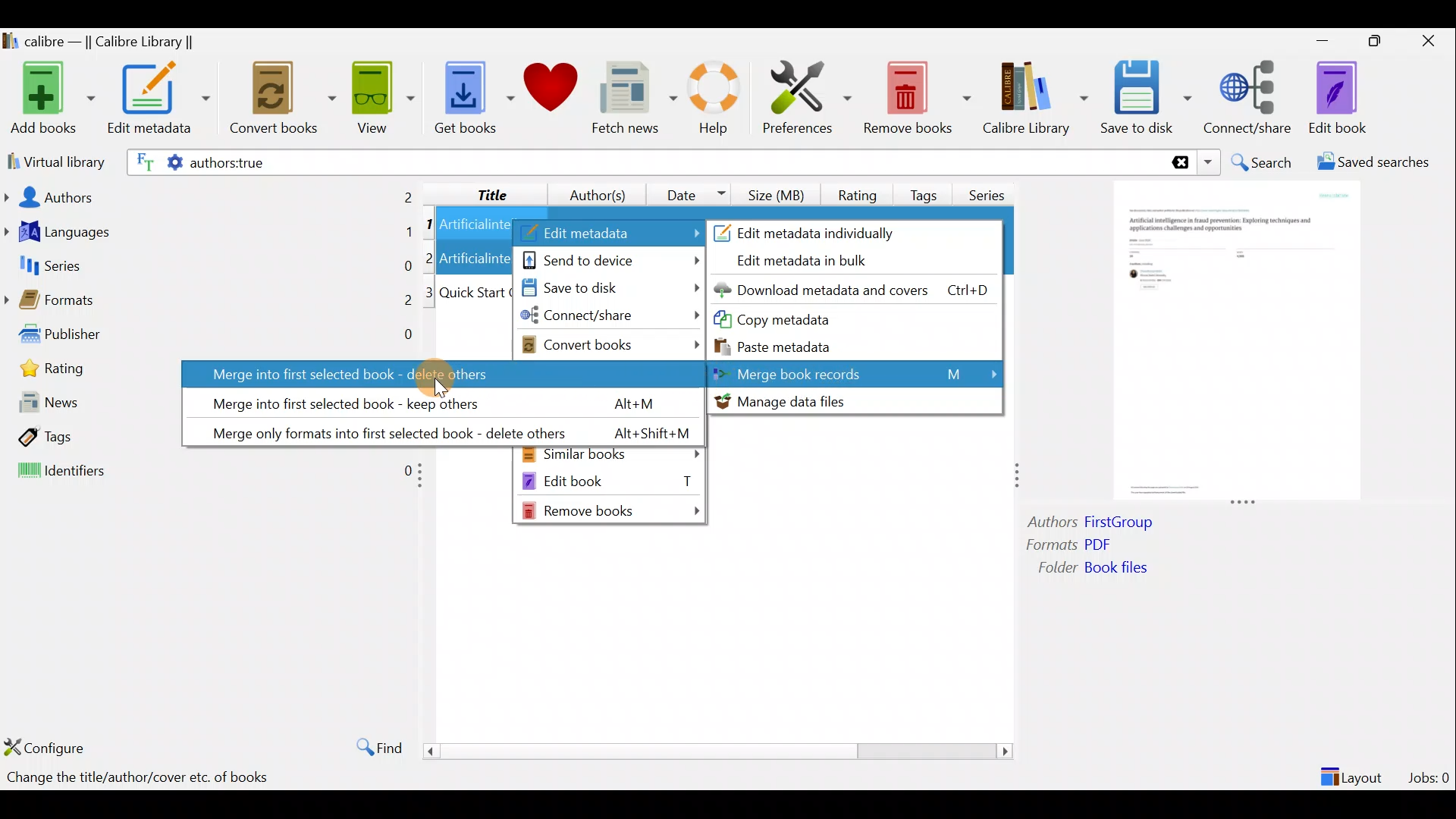 The image size is (1456, 819). What do you see at coordinates (591, 191) in the screenshot?
I see `Author(s)` at bounding box center [591, 191].